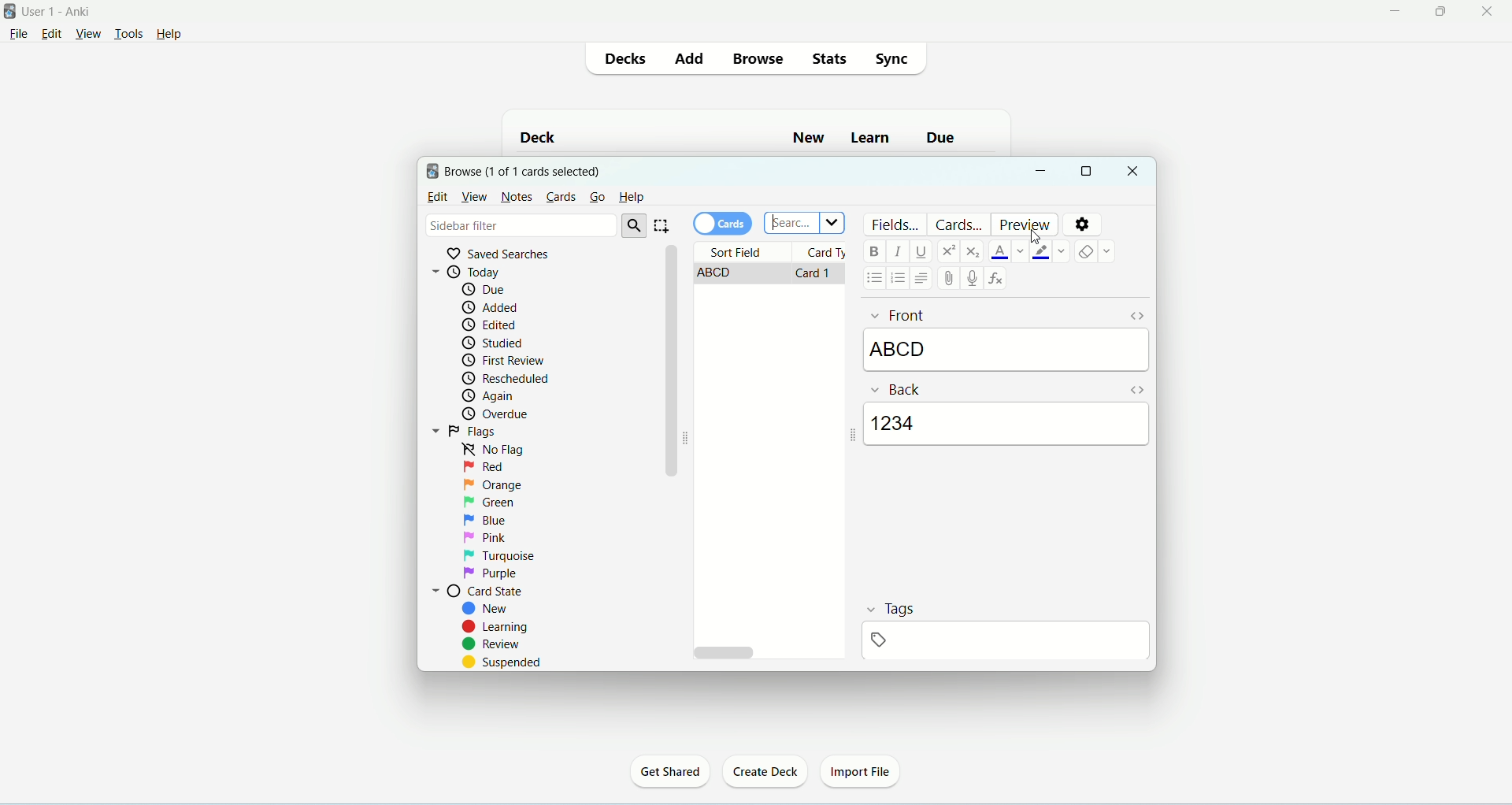 The image size is (1512, 805). What do you see at coordinates (895, 388) in the screenshot?
I see `back` at bounding box center [895, 388].